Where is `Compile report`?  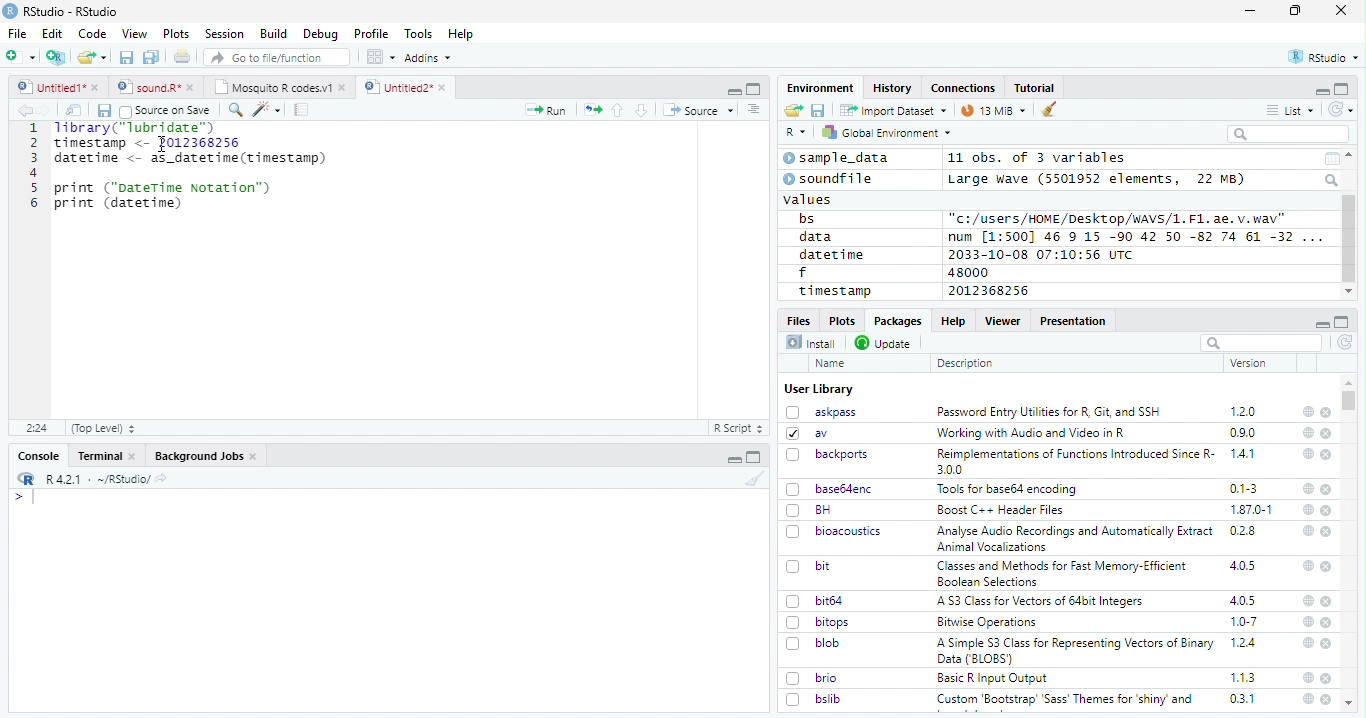
Compile report is located at coordinates (302, 110).